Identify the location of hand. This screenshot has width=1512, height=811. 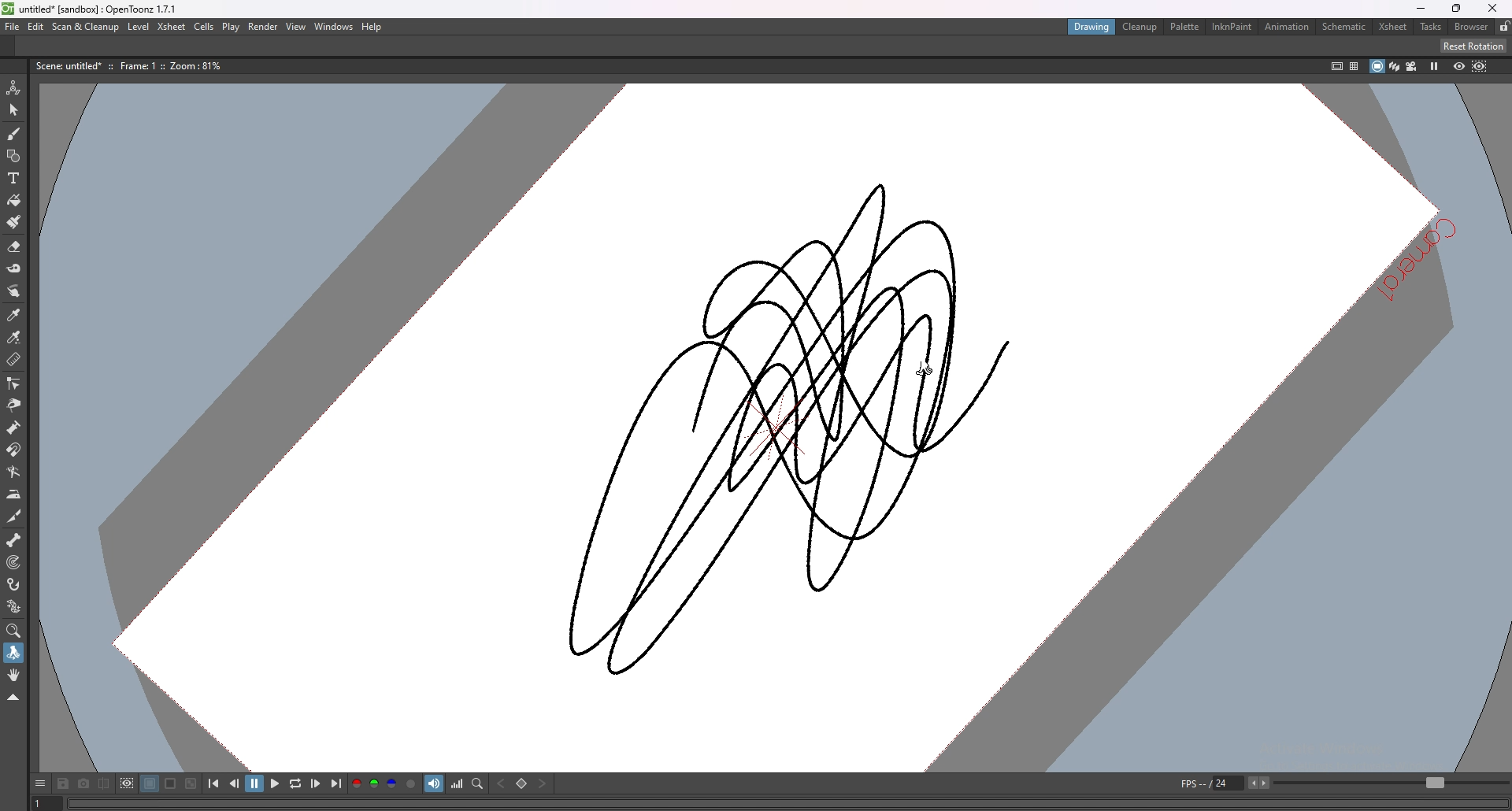
(13, 675).